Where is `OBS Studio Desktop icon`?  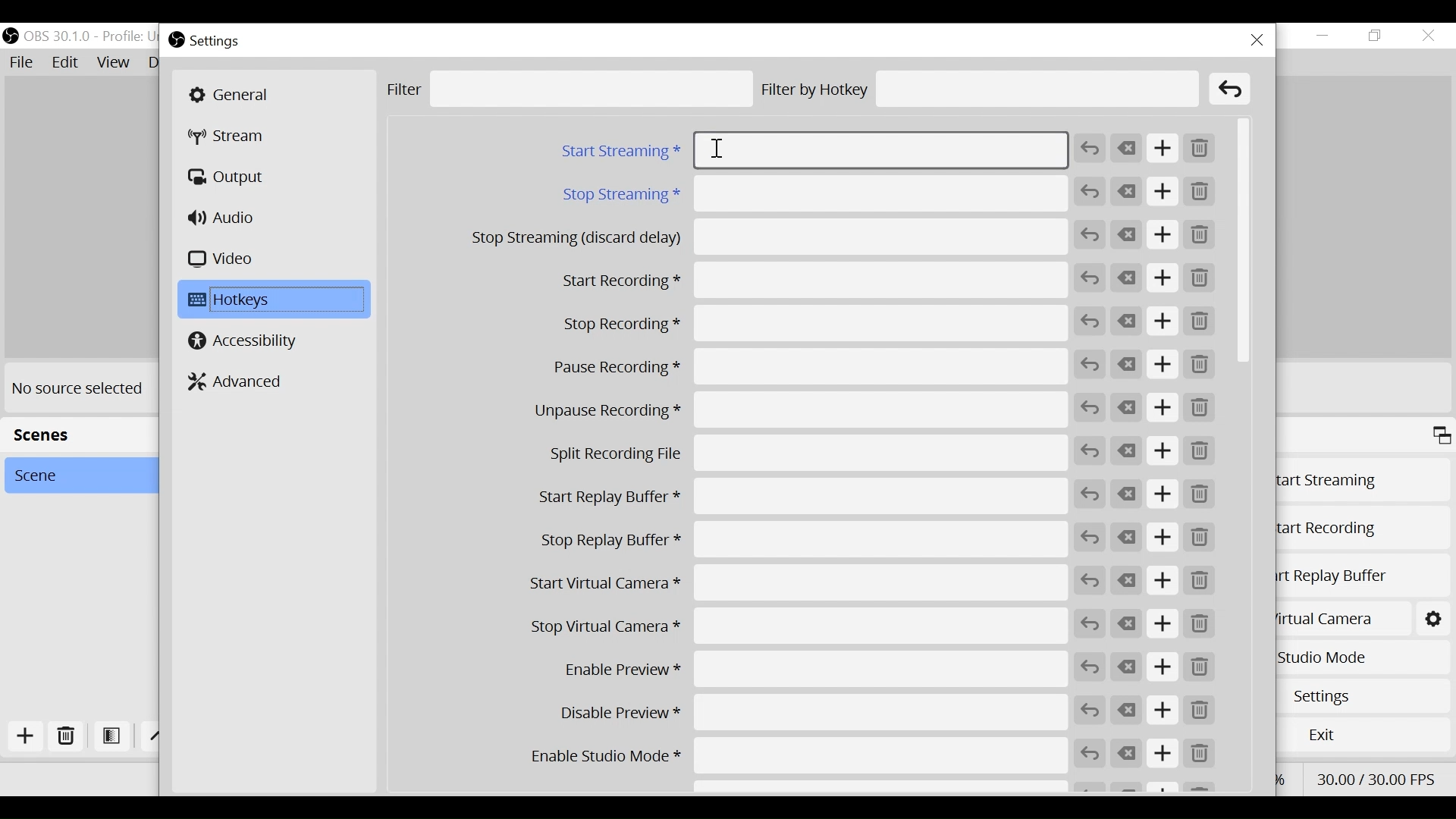
OBS Studio Desktop icon is located at coordinates (177, 39).